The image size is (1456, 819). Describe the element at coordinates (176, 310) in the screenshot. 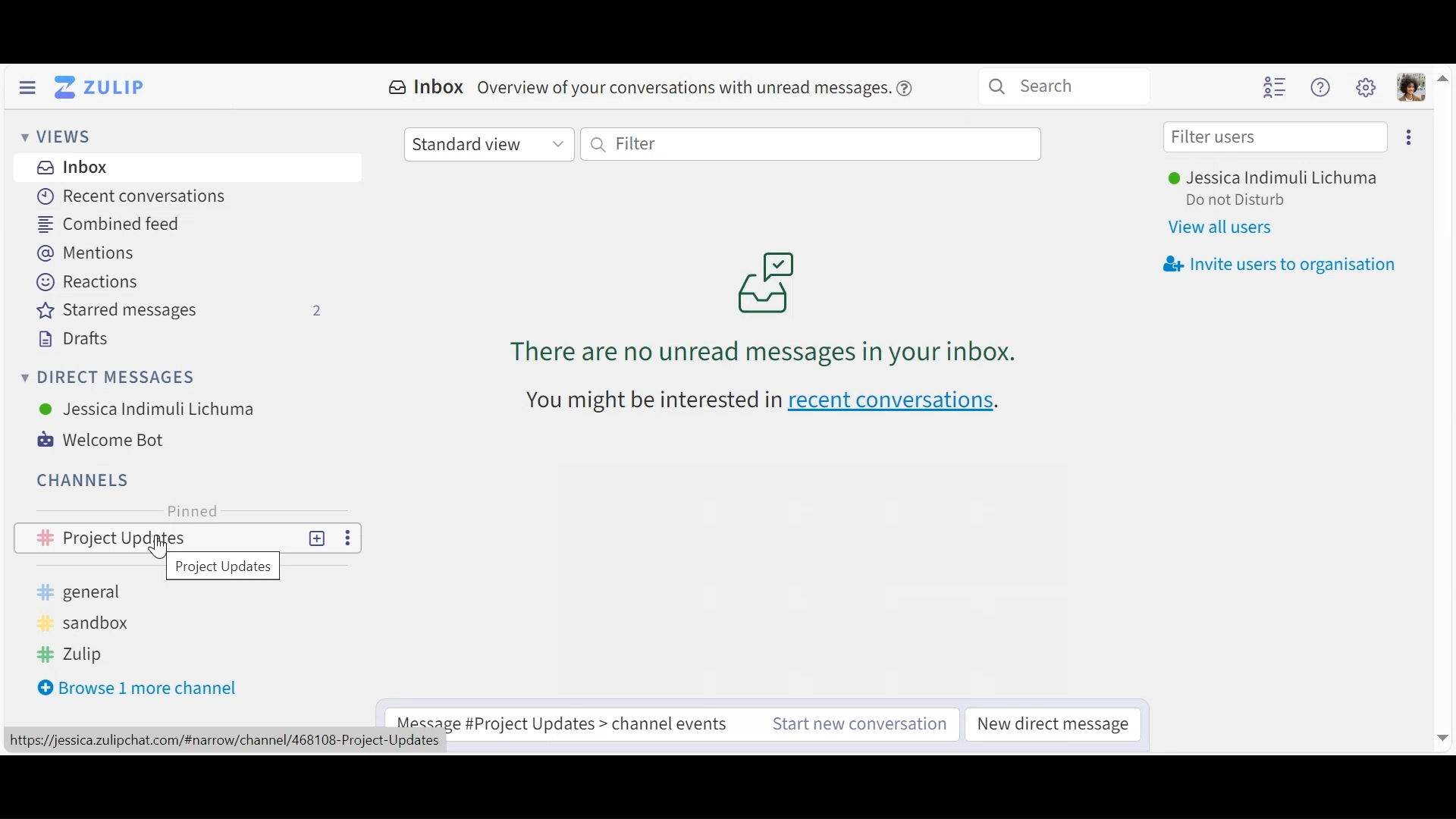

I see `Starred messages` at that location.